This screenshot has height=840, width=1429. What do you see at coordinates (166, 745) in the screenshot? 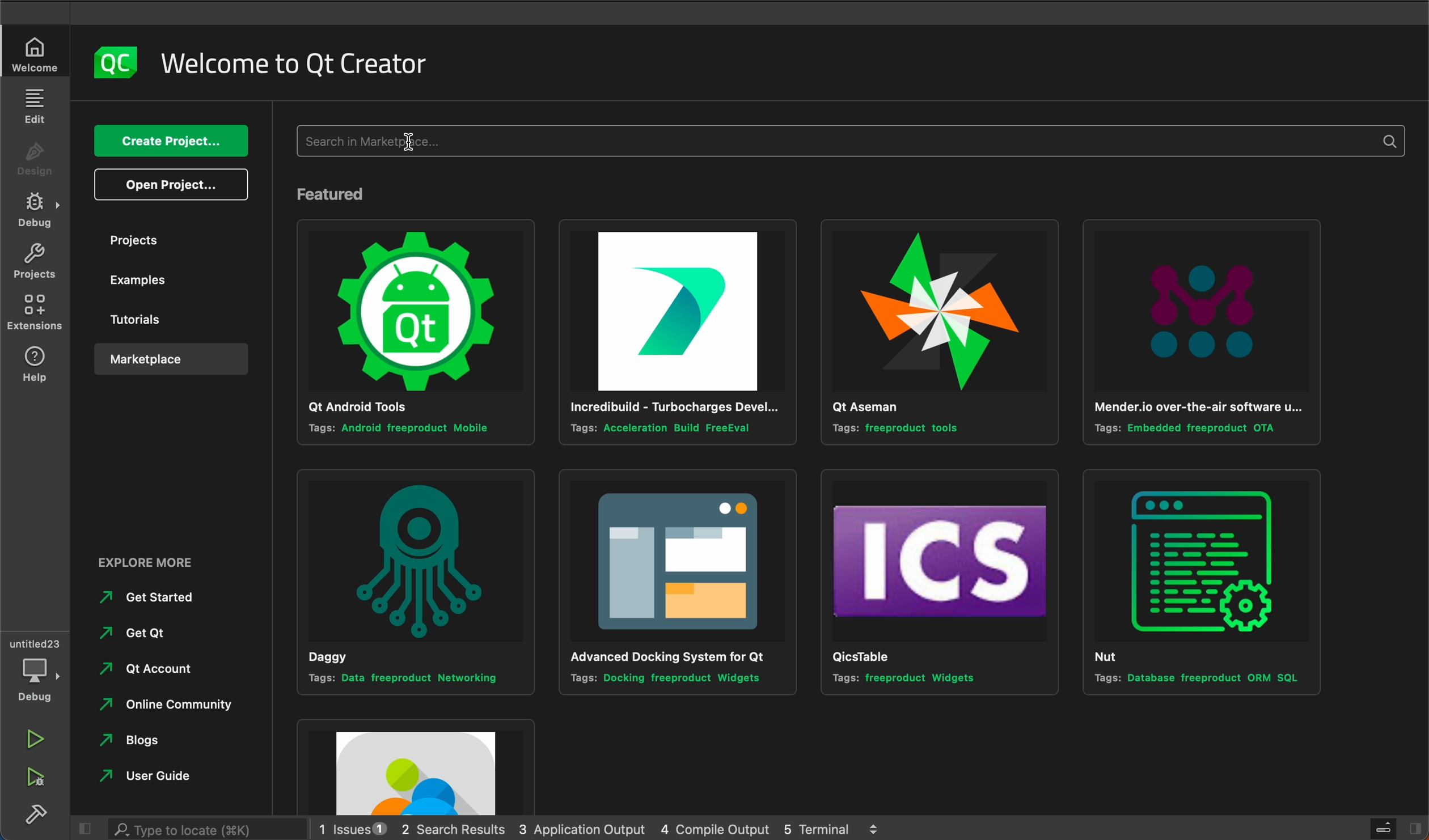
I see `` at bounding box center [166, 745].